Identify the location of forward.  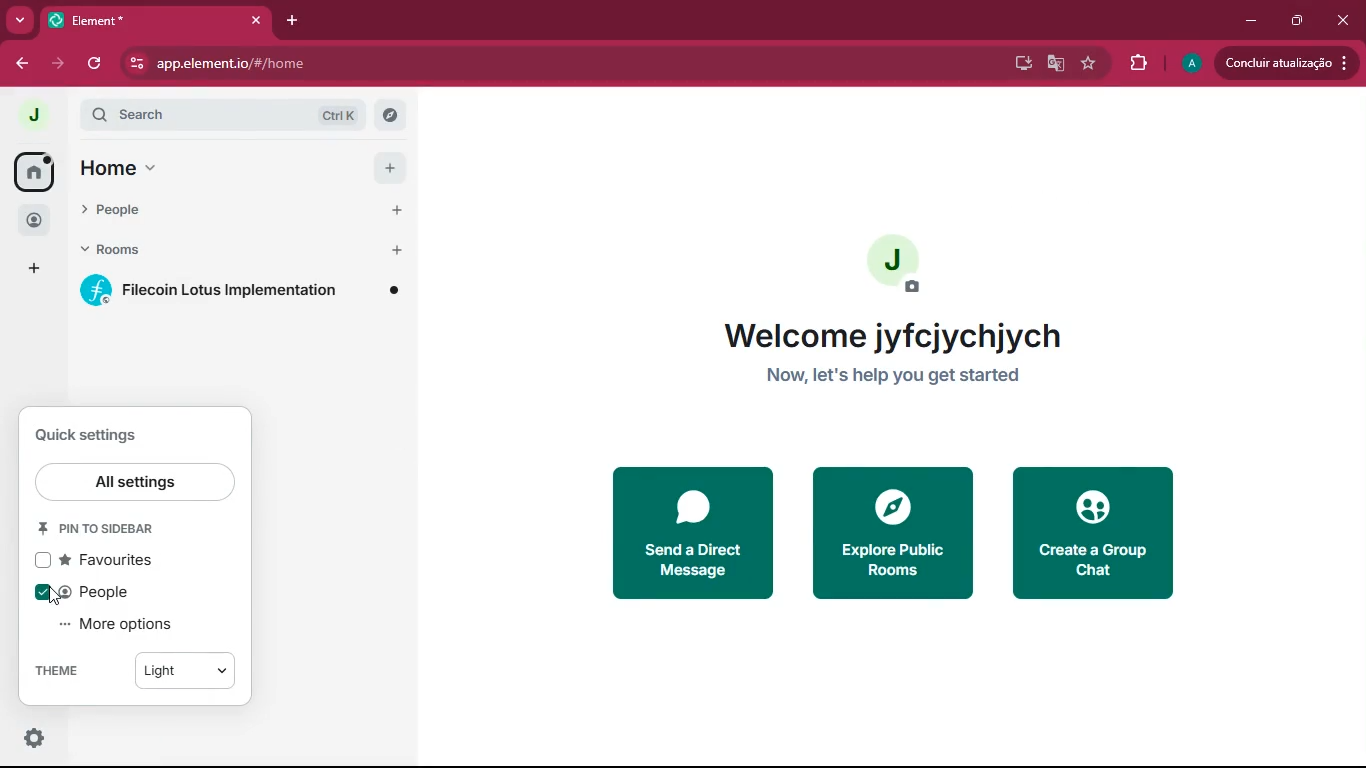
(55, 65).